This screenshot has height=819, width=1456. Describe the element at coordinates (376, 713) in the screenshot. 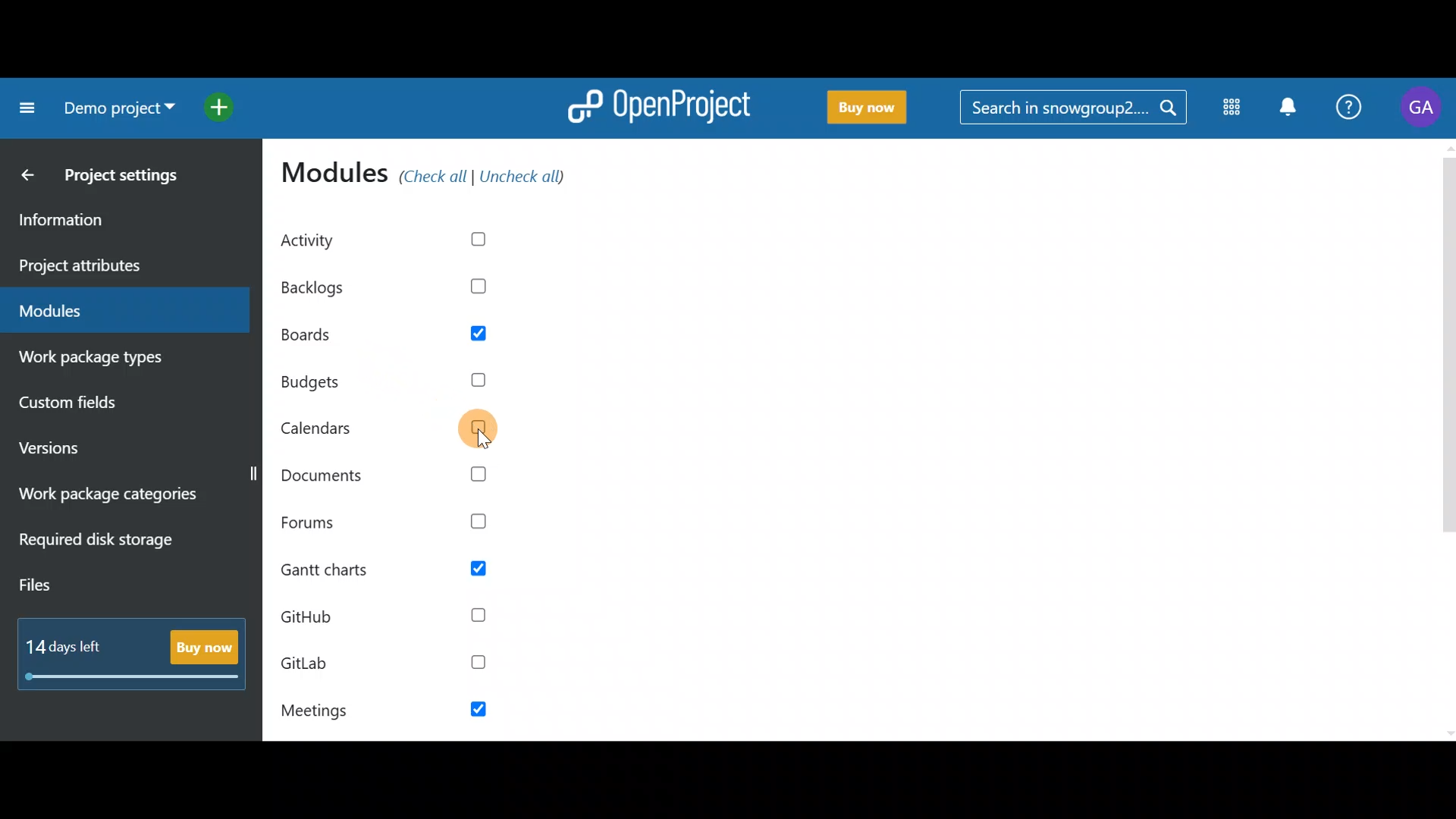

I see `Meetings` at that location.